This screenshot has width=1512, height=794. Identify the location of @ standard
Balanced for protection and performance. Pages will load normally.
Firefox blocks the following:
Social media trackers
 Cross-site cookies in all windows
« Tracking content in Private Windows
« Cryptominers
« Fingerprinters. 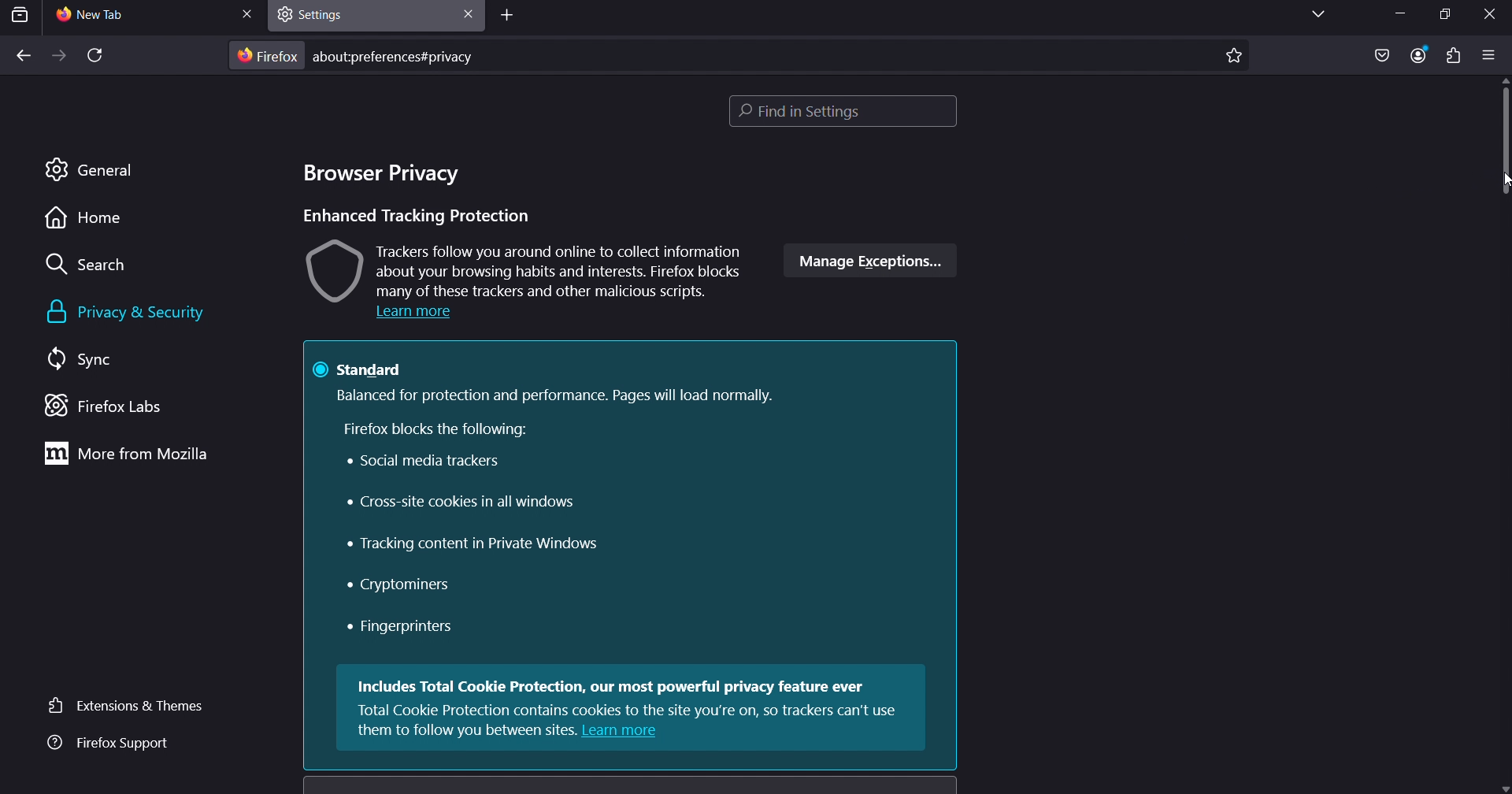
(628, 500).